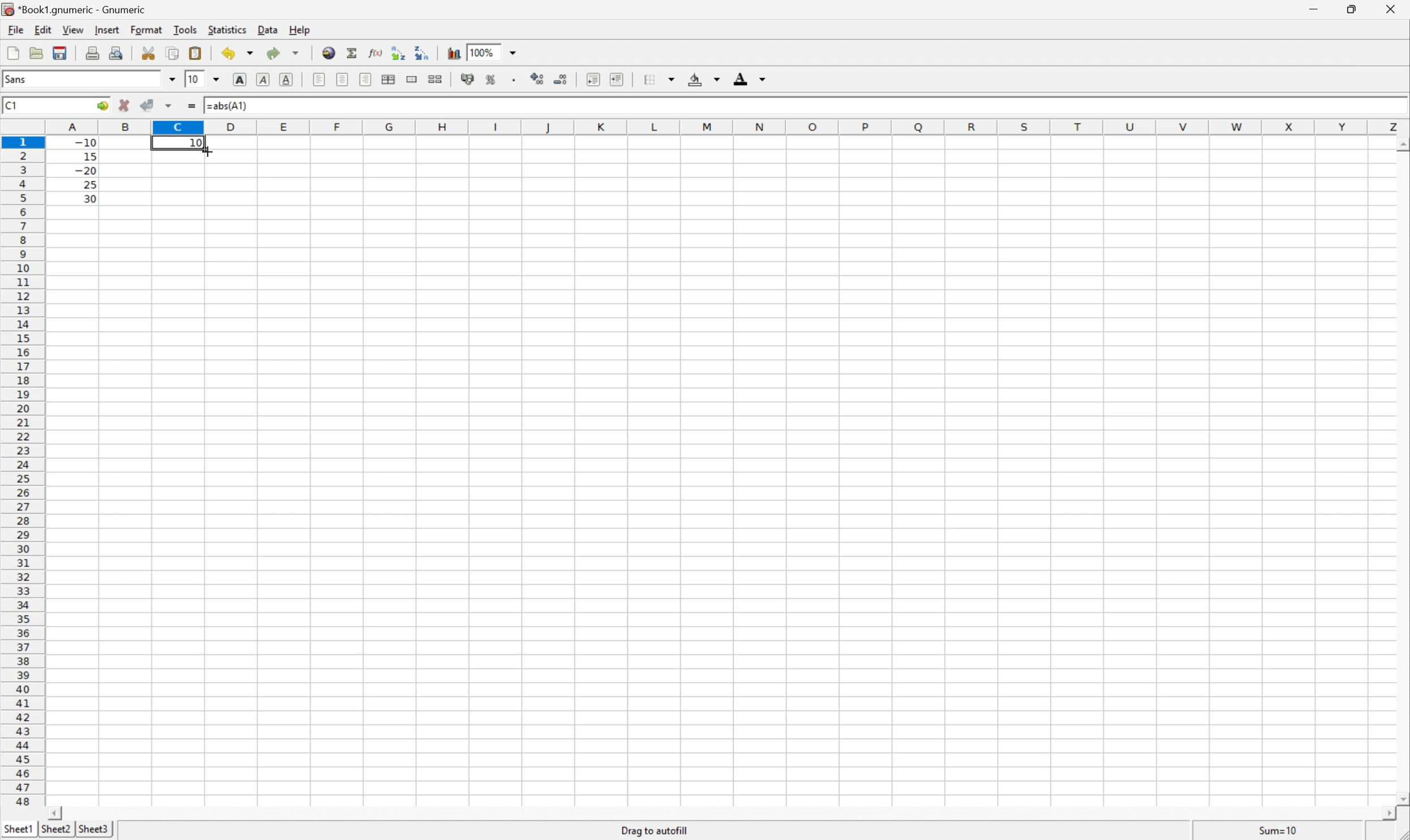  I want to click on Foreground, so click(740, 81).